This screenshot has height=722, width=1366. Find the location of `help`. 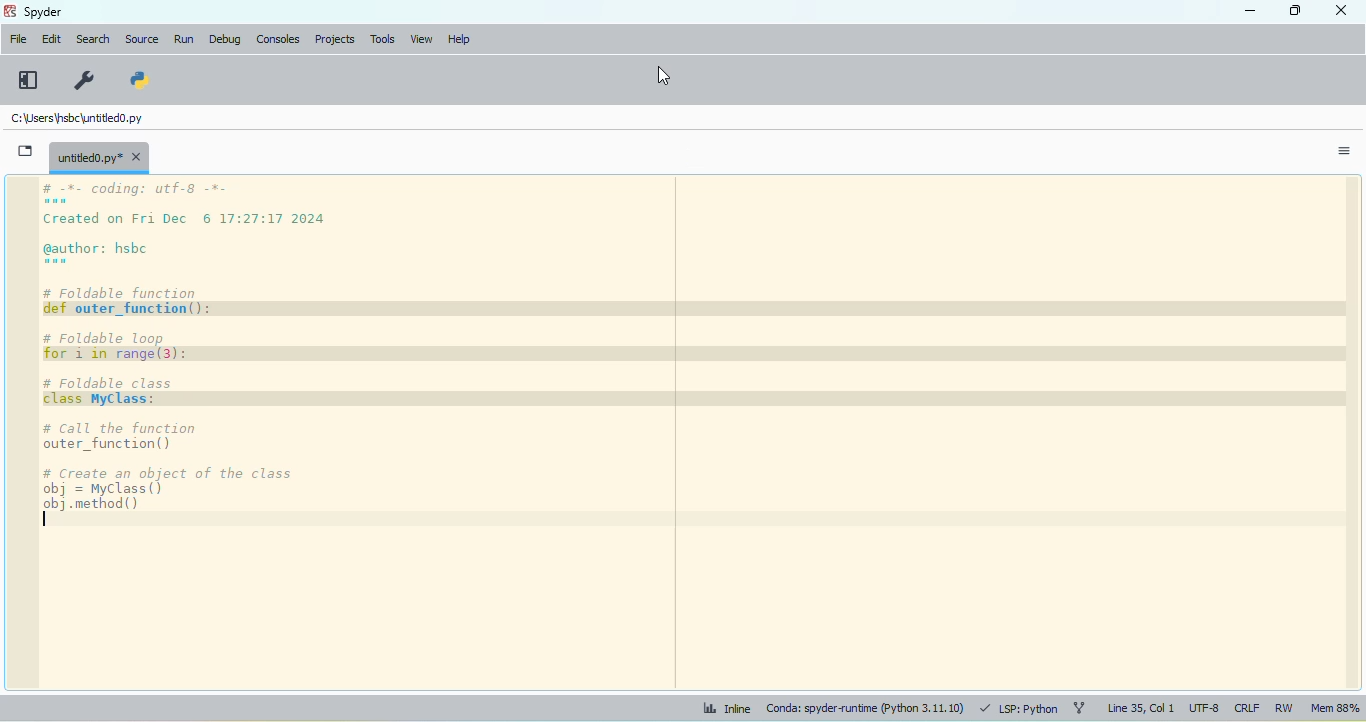

help is located at coordinates (458, 40).